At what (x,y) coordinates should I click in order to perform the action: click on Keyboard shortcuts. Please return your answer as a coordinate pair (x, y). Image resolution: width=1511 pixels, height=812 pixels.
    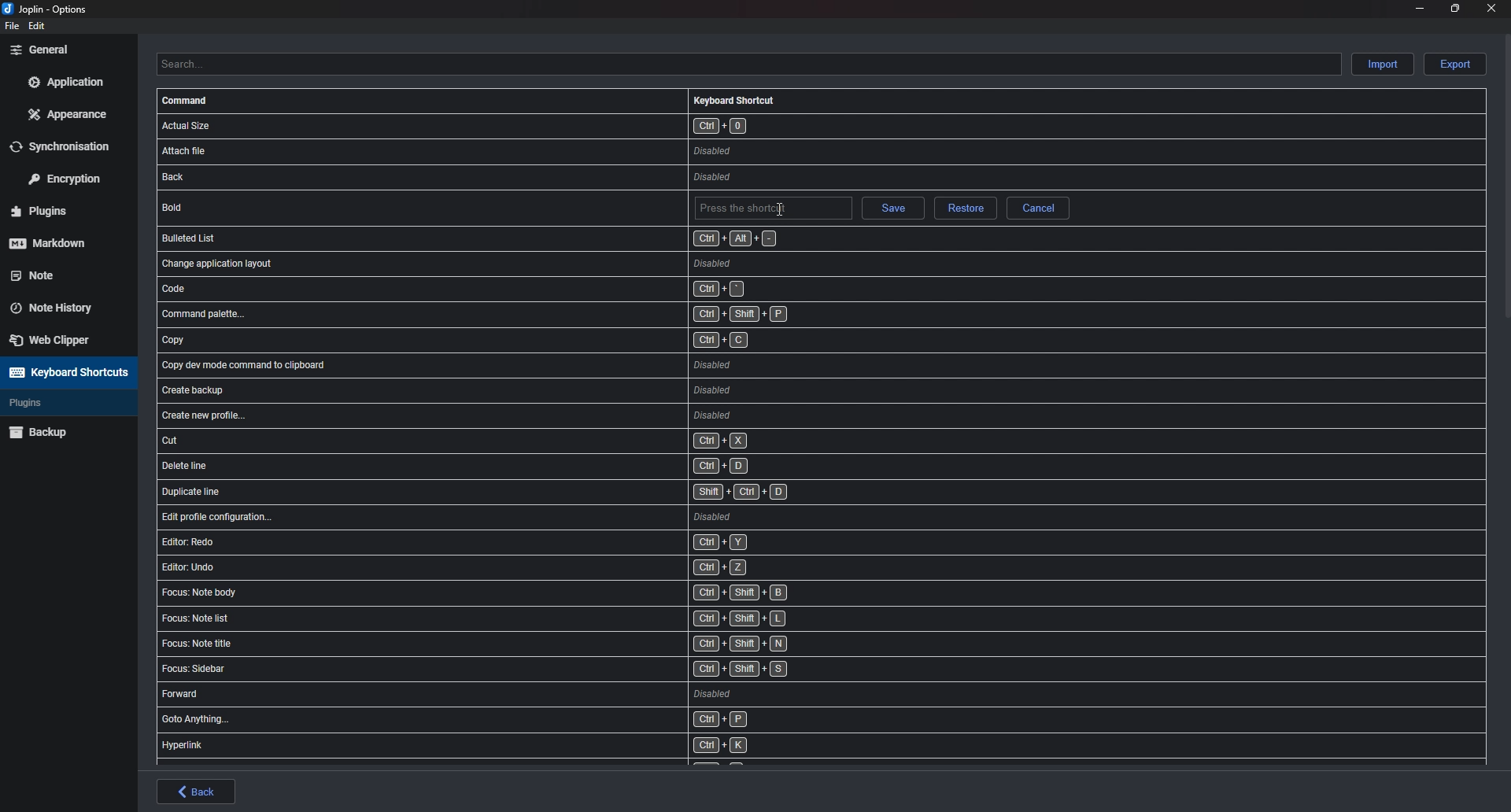
    Looking at the image, I should click on (66, 372).